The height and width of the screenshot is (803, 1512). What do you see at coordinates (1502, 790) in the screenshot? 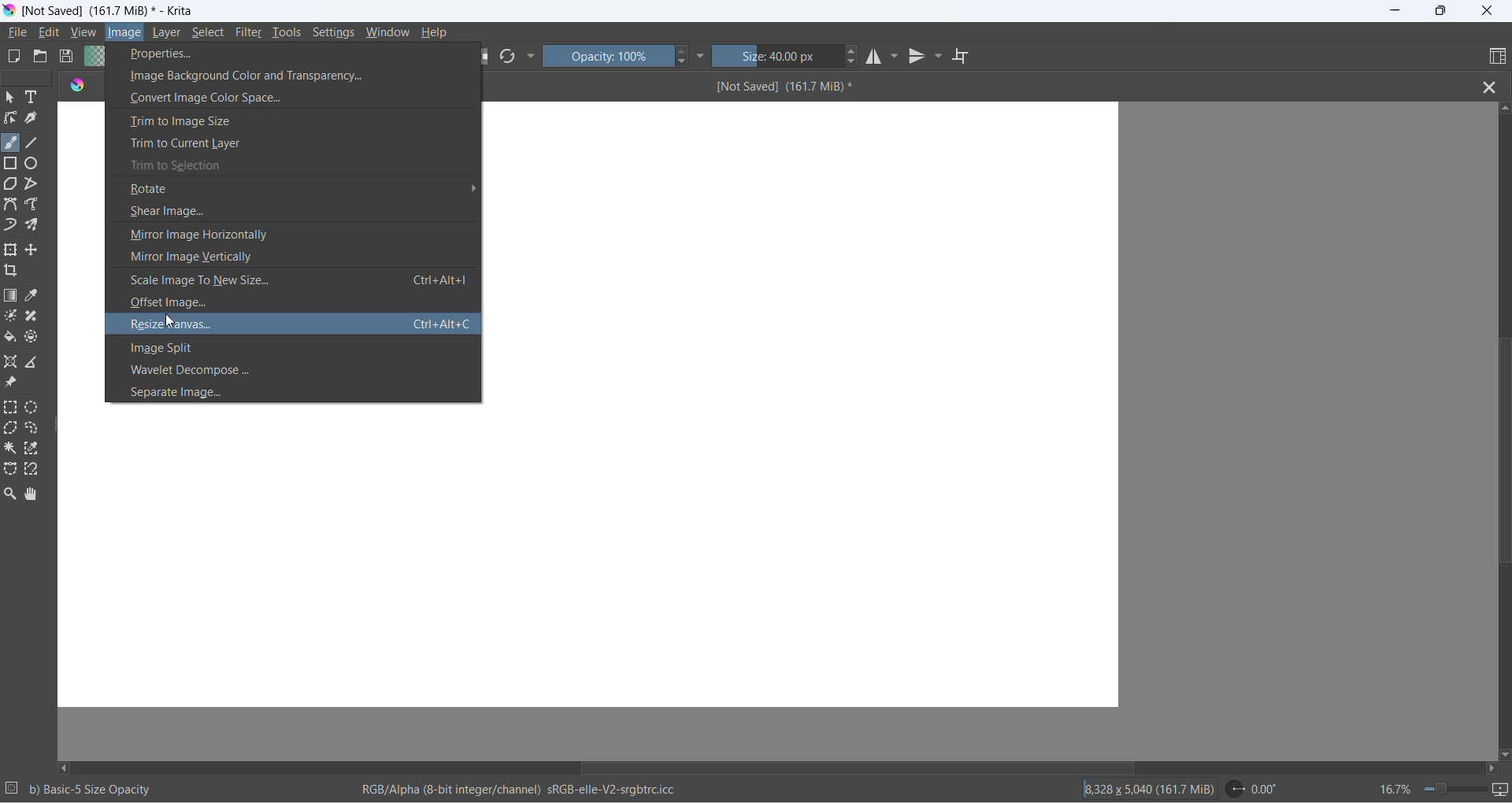
I see `slideshow` at bounding box center [1502, 790].